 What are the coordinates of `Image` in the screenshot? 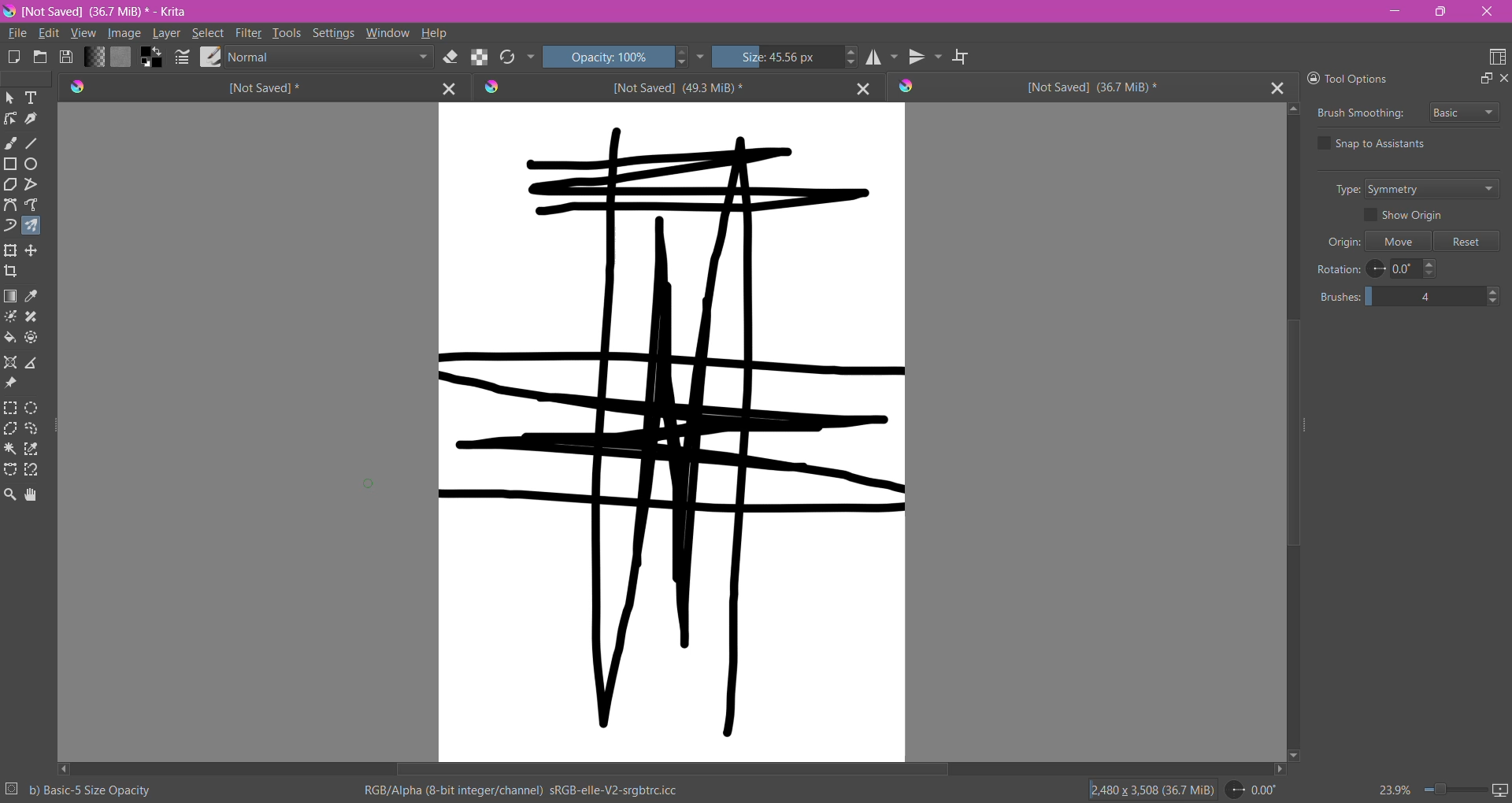 It's located at (124, 35).